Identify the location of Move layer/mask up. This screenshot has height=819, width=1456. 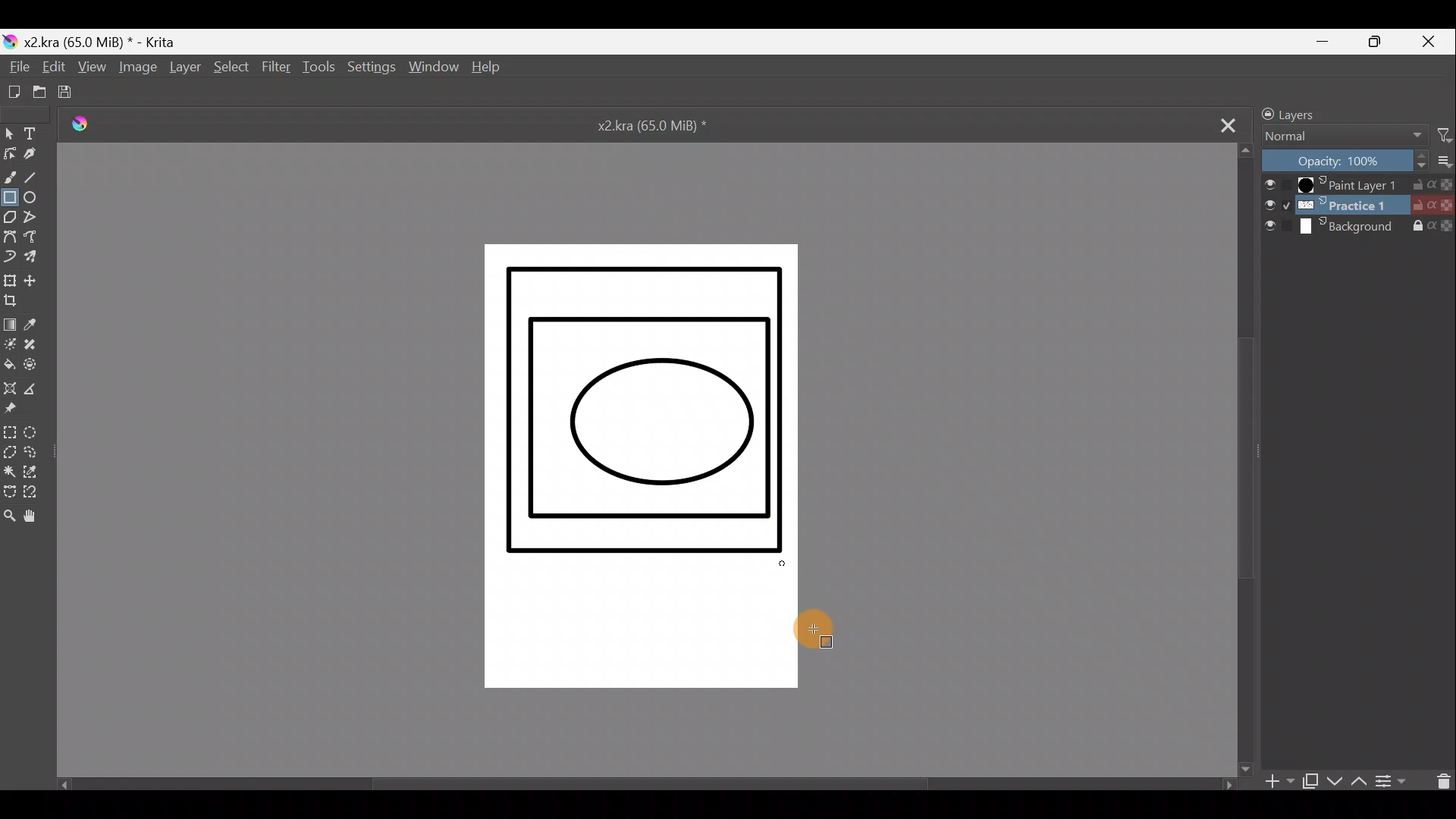
(1359, 780).